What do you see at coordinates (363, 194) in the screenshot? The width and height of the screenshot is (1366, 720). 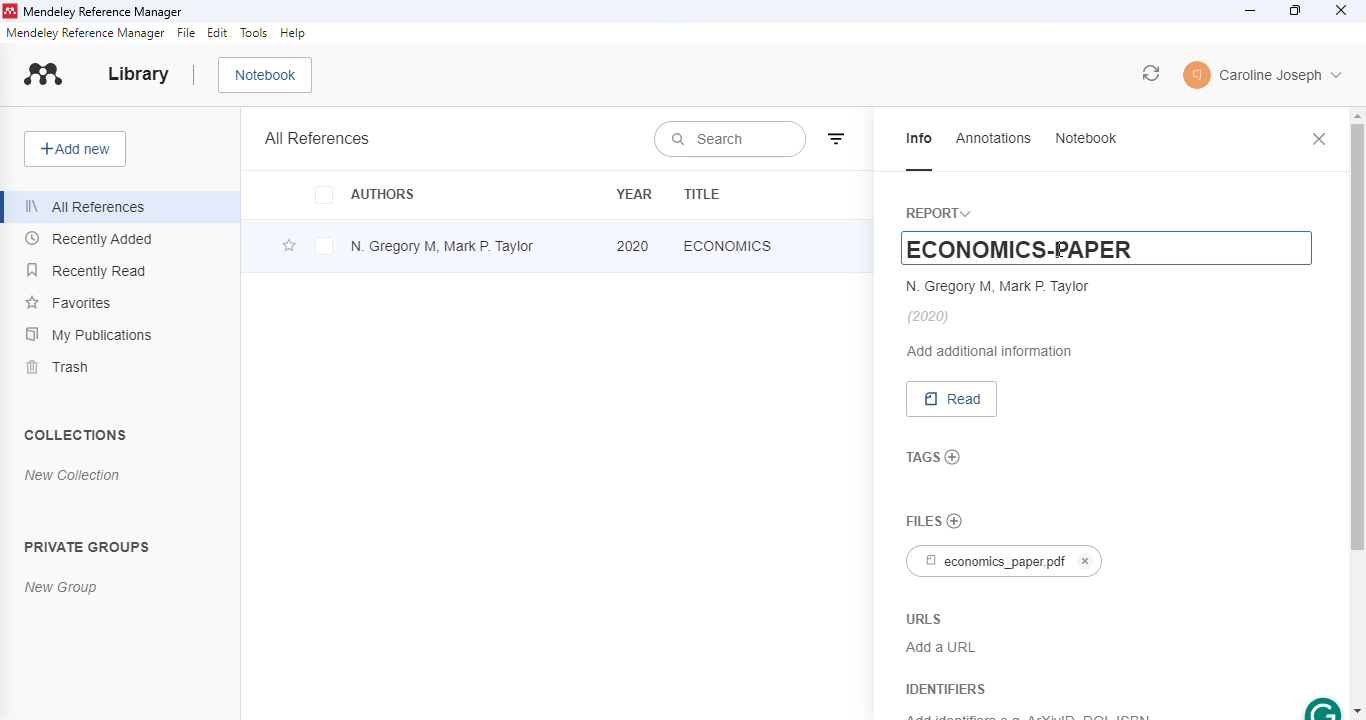 I see `authors` at bounding box center [363, 194].